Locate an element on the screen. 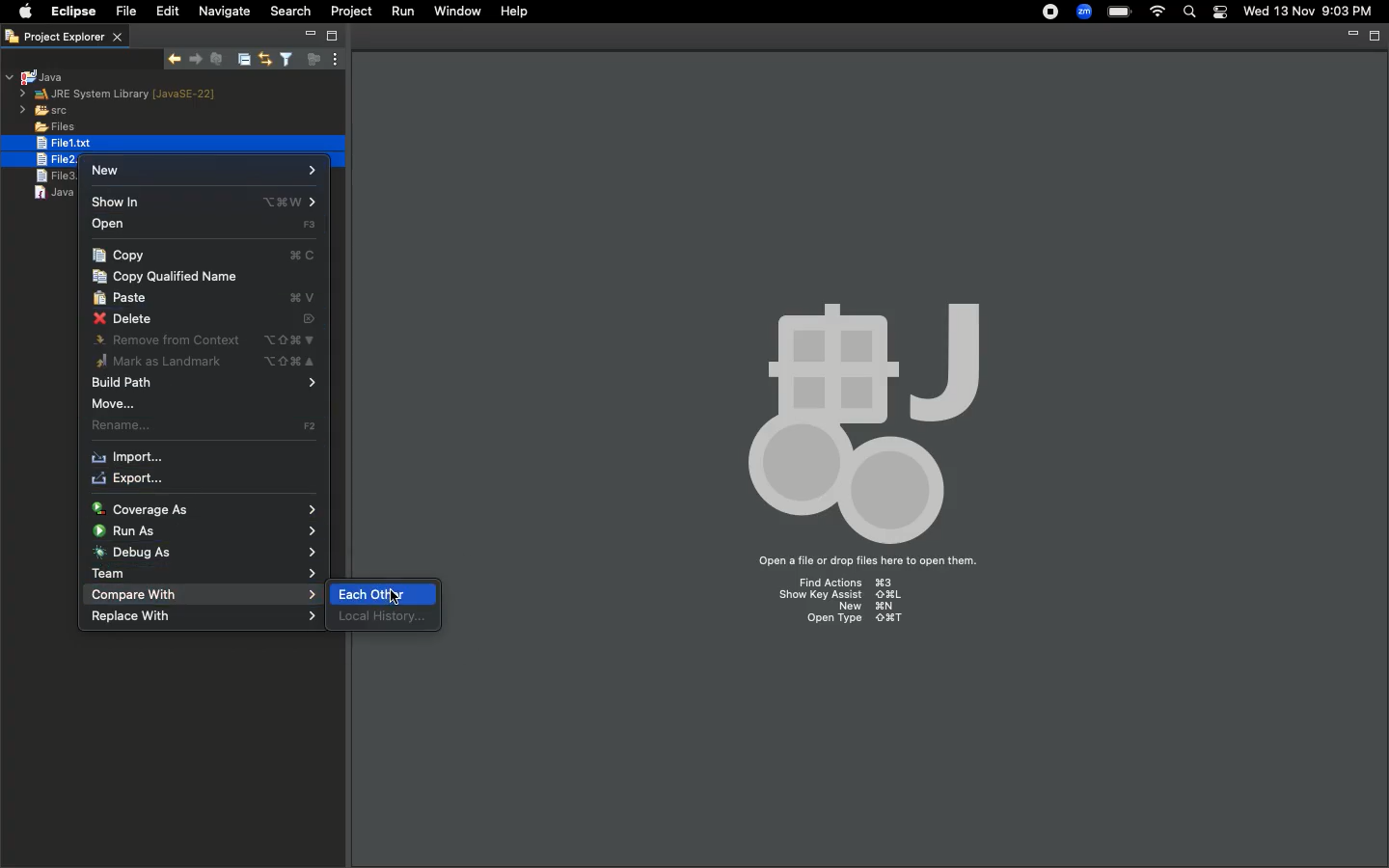  selected file is located at coordinates (128, 144).